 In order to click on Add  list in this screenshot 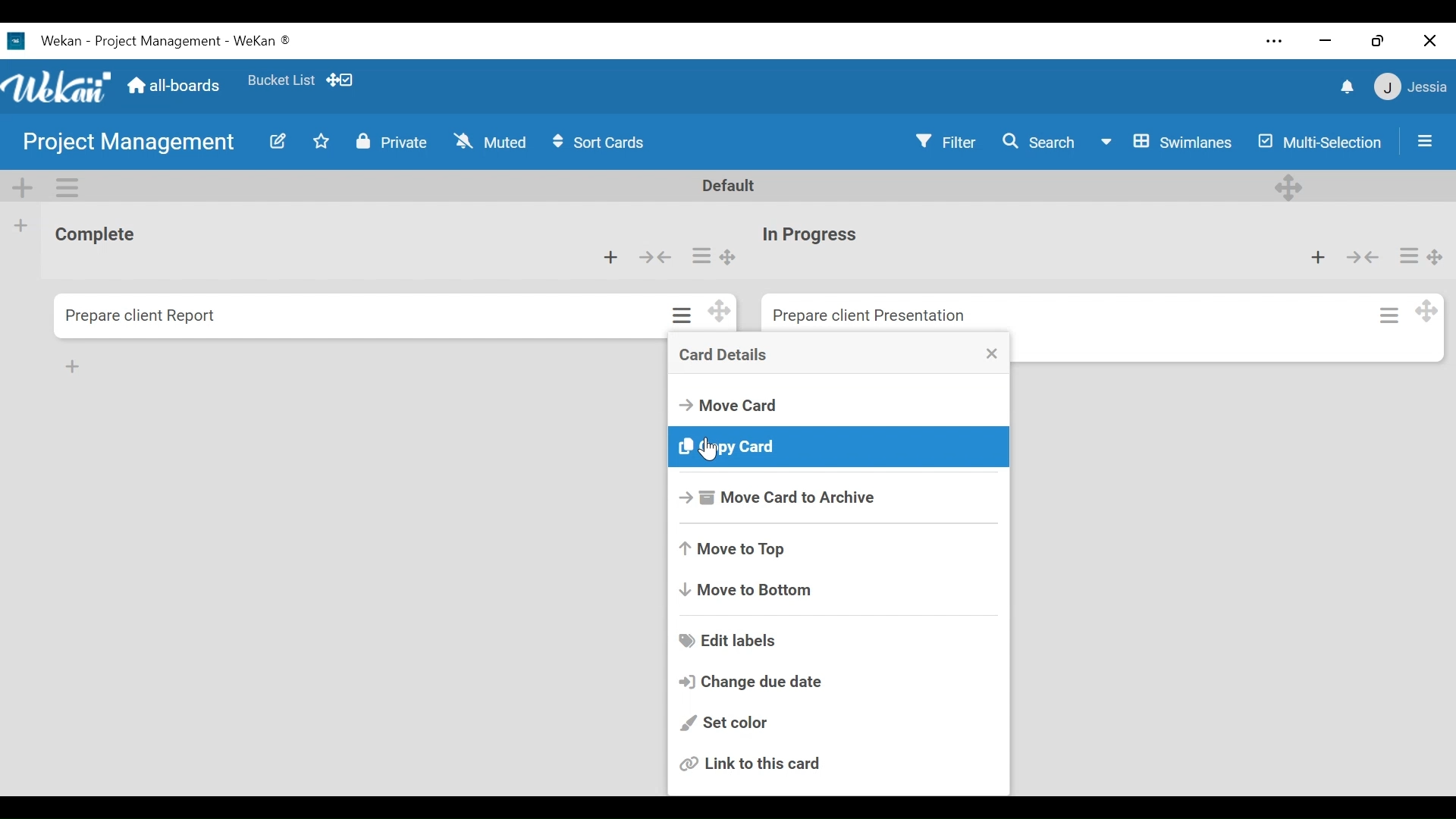, I will do `click(20, 226)`.